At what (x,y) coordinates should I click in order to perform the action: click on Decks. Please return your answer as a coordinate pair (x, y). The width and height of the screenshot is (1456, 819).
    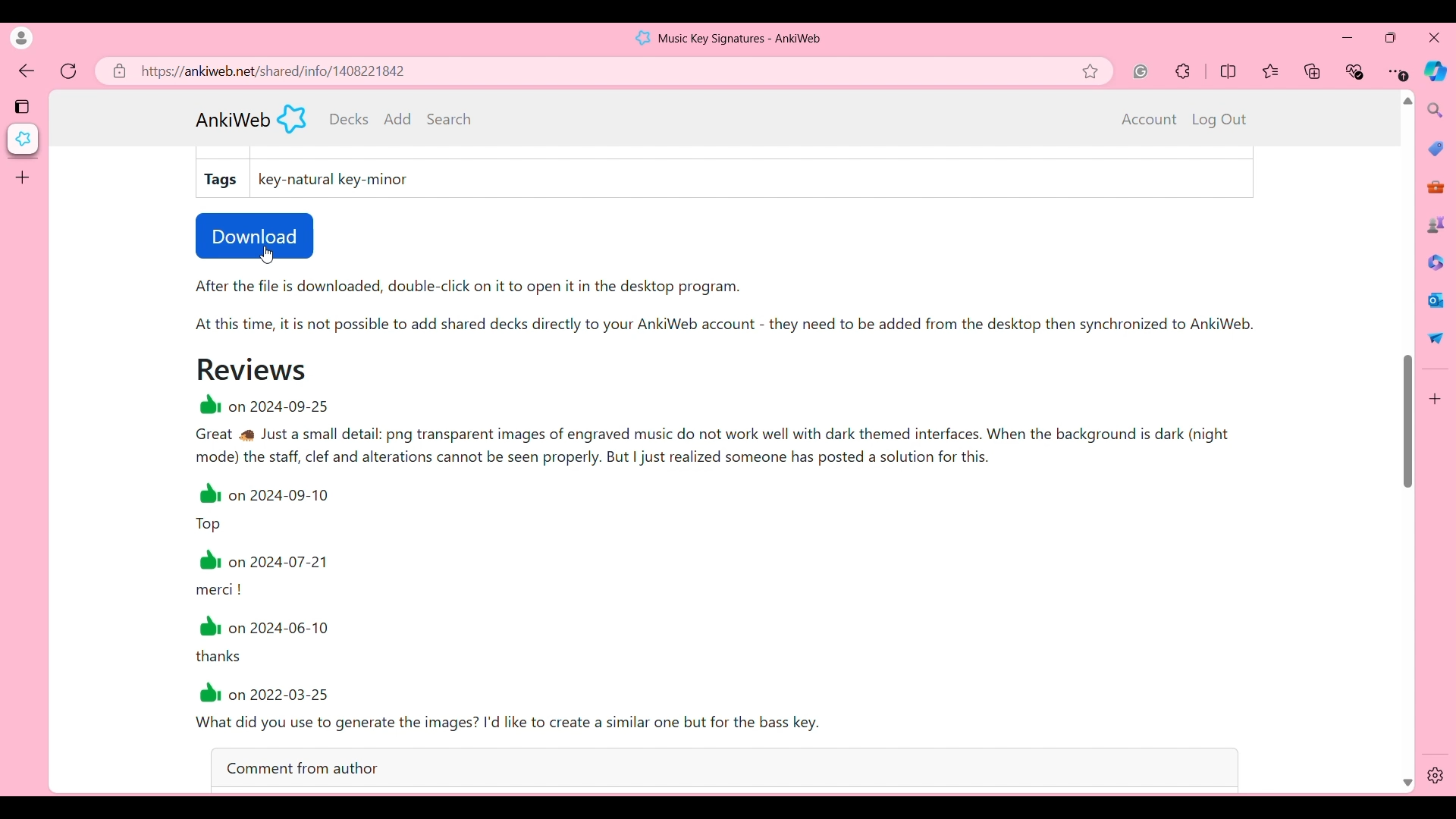
    Looking at the image, I should click on (350, 119).